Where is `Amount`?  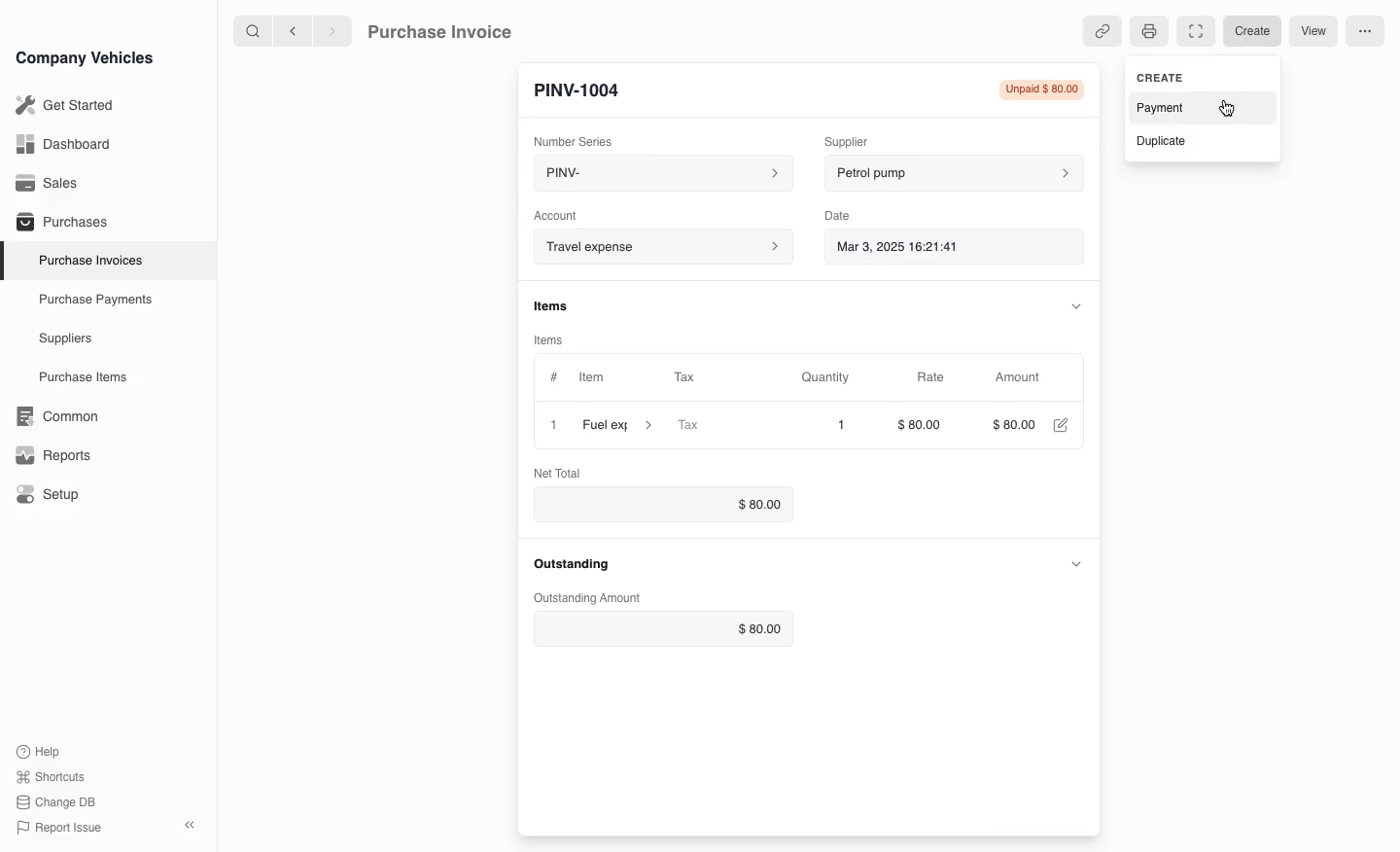
Amount is located at coordinates (1022, 377).